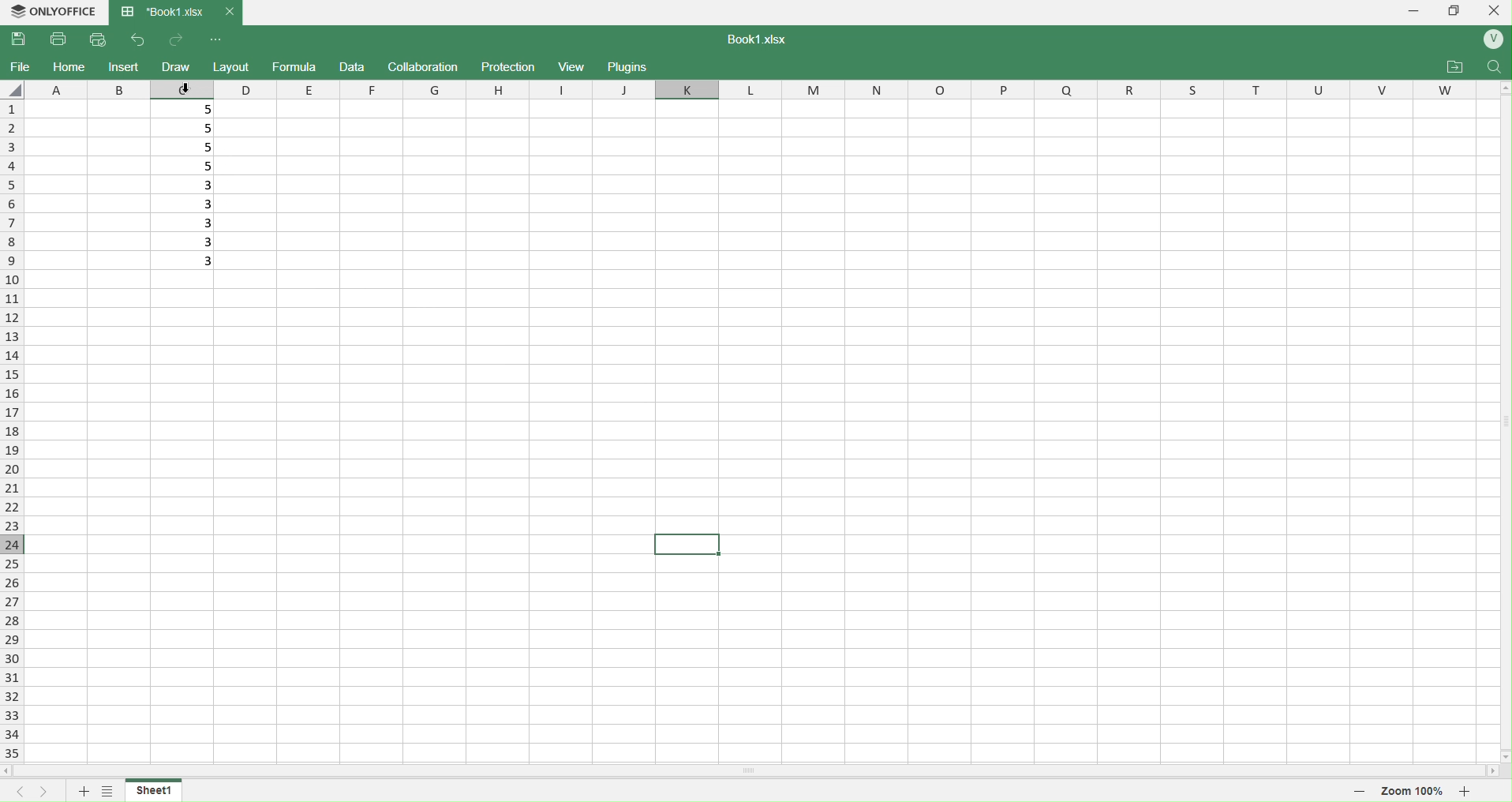  What do you see at coordinates (232, 67) in the screenshot?
I see `Layout` at bounding box center [232, 67].